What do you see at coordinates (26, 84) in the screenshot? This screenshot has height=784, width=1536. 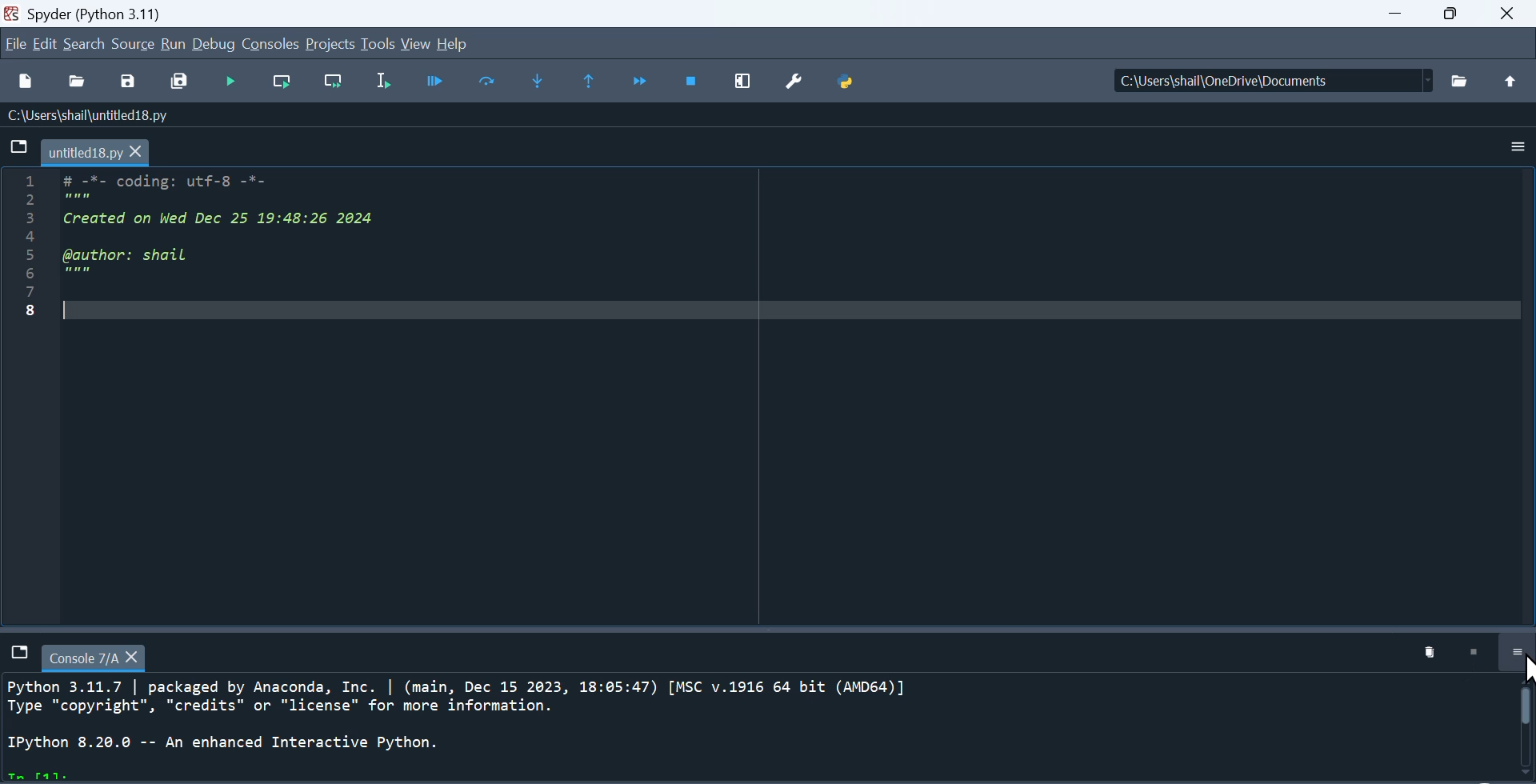 I see `new` at bounding box center [26, 84].